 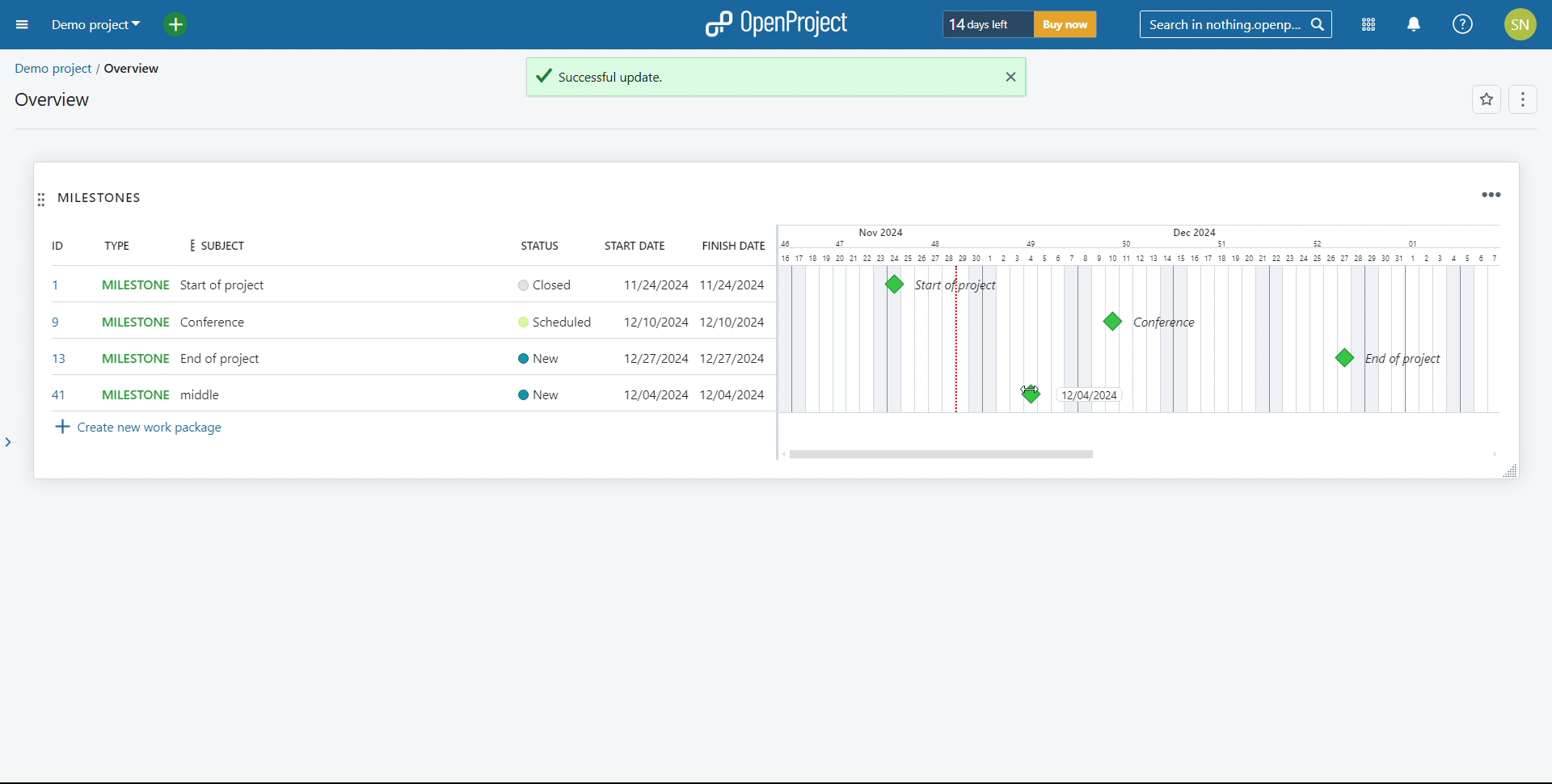 I want to click on type, so click(x=116, y=245).